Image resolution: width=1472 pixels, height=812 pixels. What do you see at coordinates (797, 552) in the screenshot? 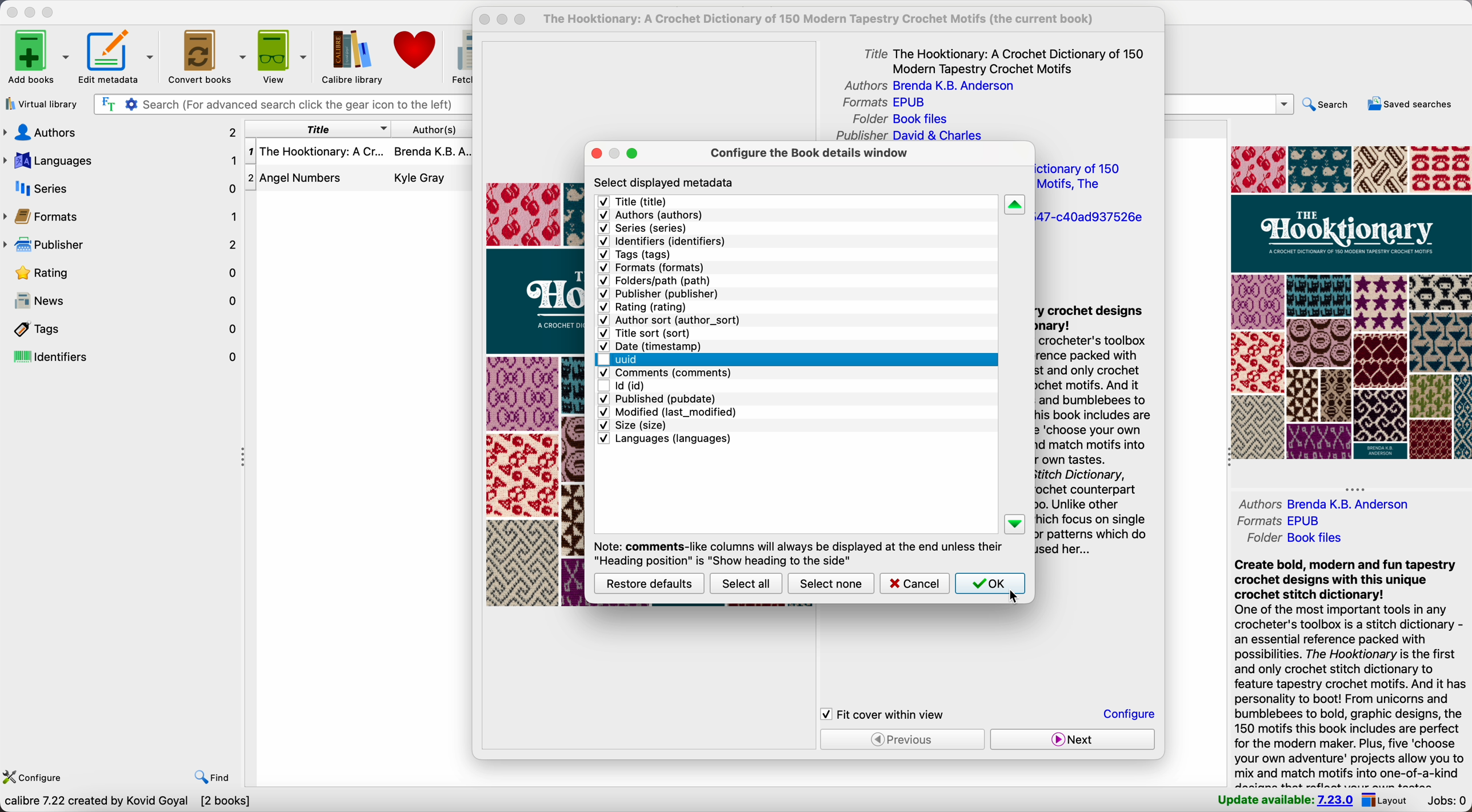
I see `note` at bounding box center [797, 552].